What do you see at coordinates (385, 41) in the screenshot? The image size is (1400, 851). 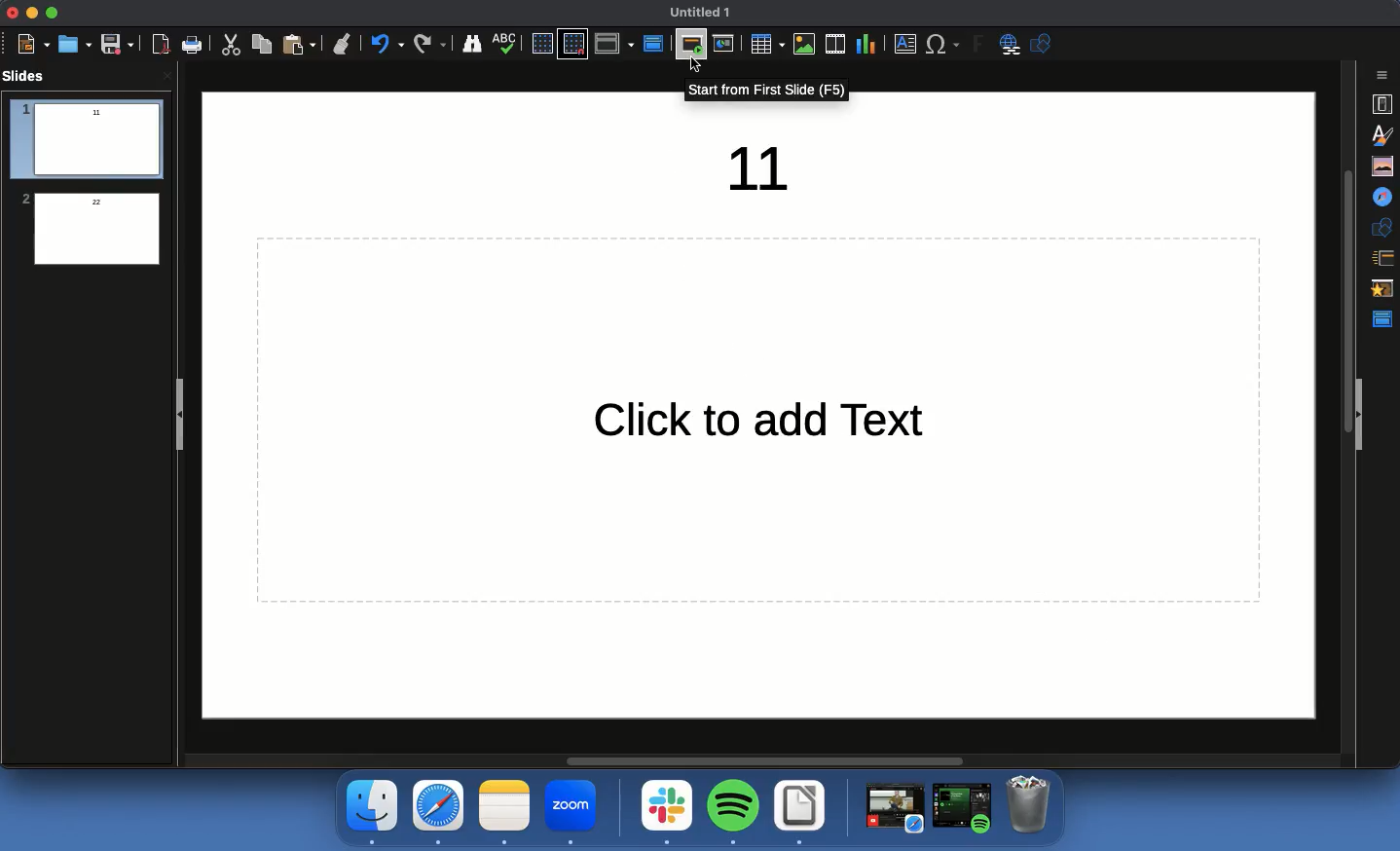 I see `Redo` at bounding box center [385, 41].